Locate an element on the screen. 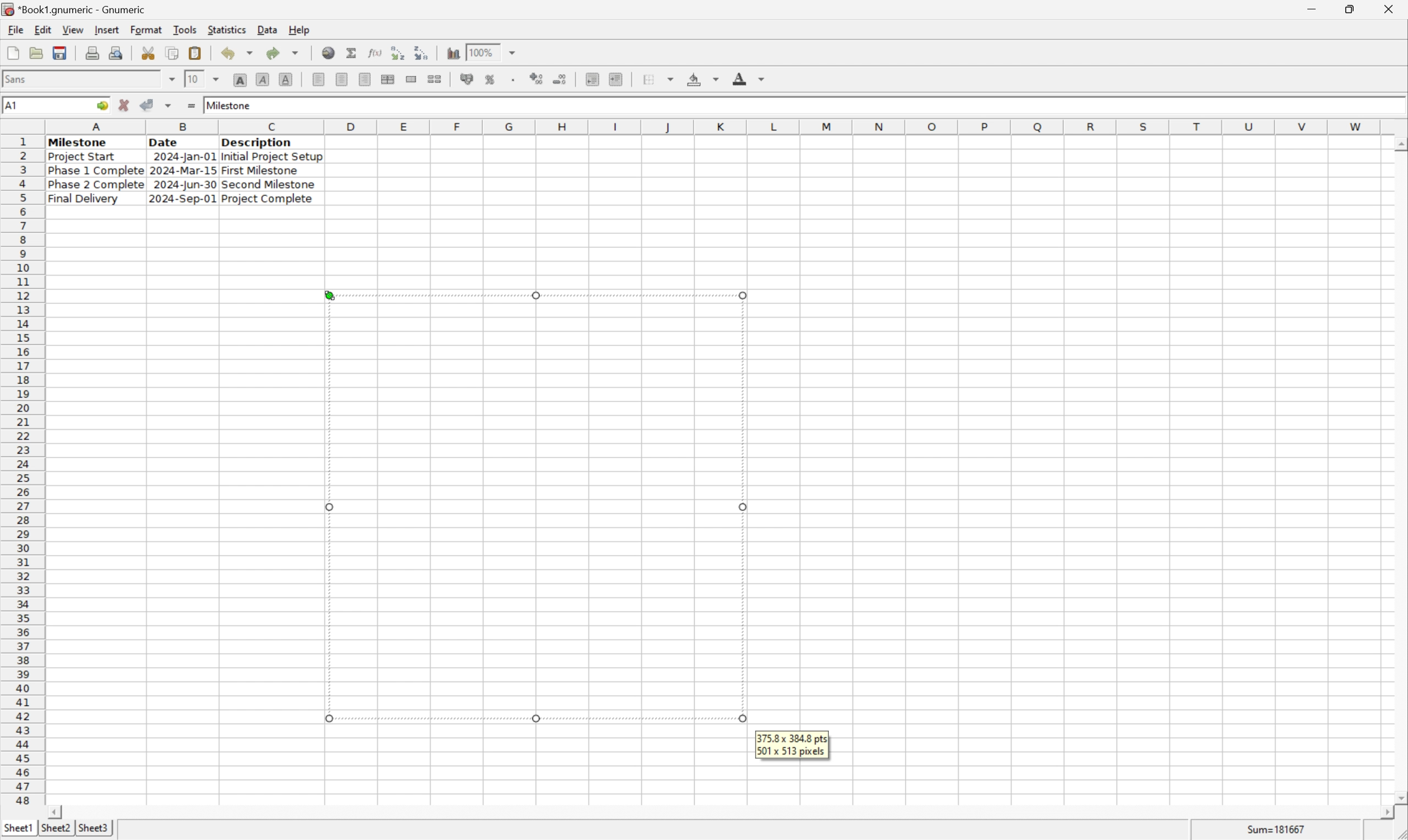 This screenshot has width=1408, height=840. go to is located at coordinates (100, 106).